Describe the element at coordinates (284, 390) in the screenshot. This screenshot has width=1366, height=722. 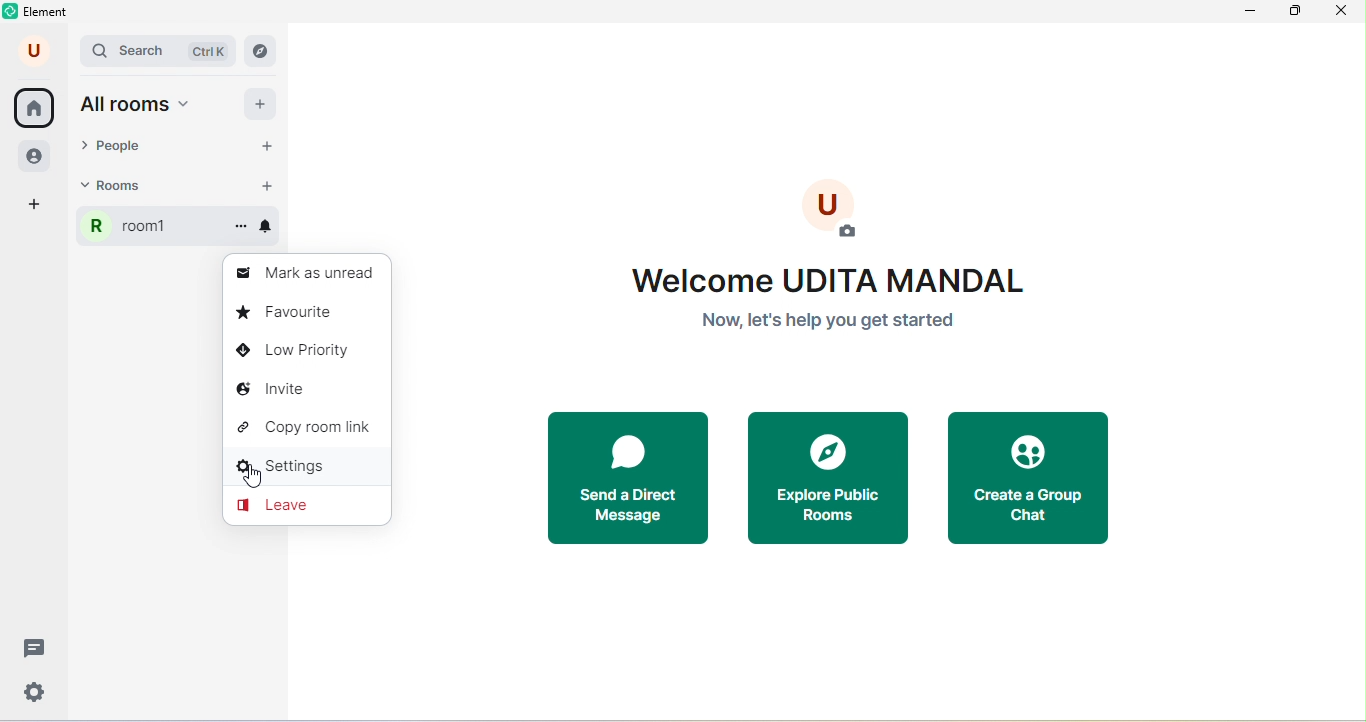
I see `invite` at that location.